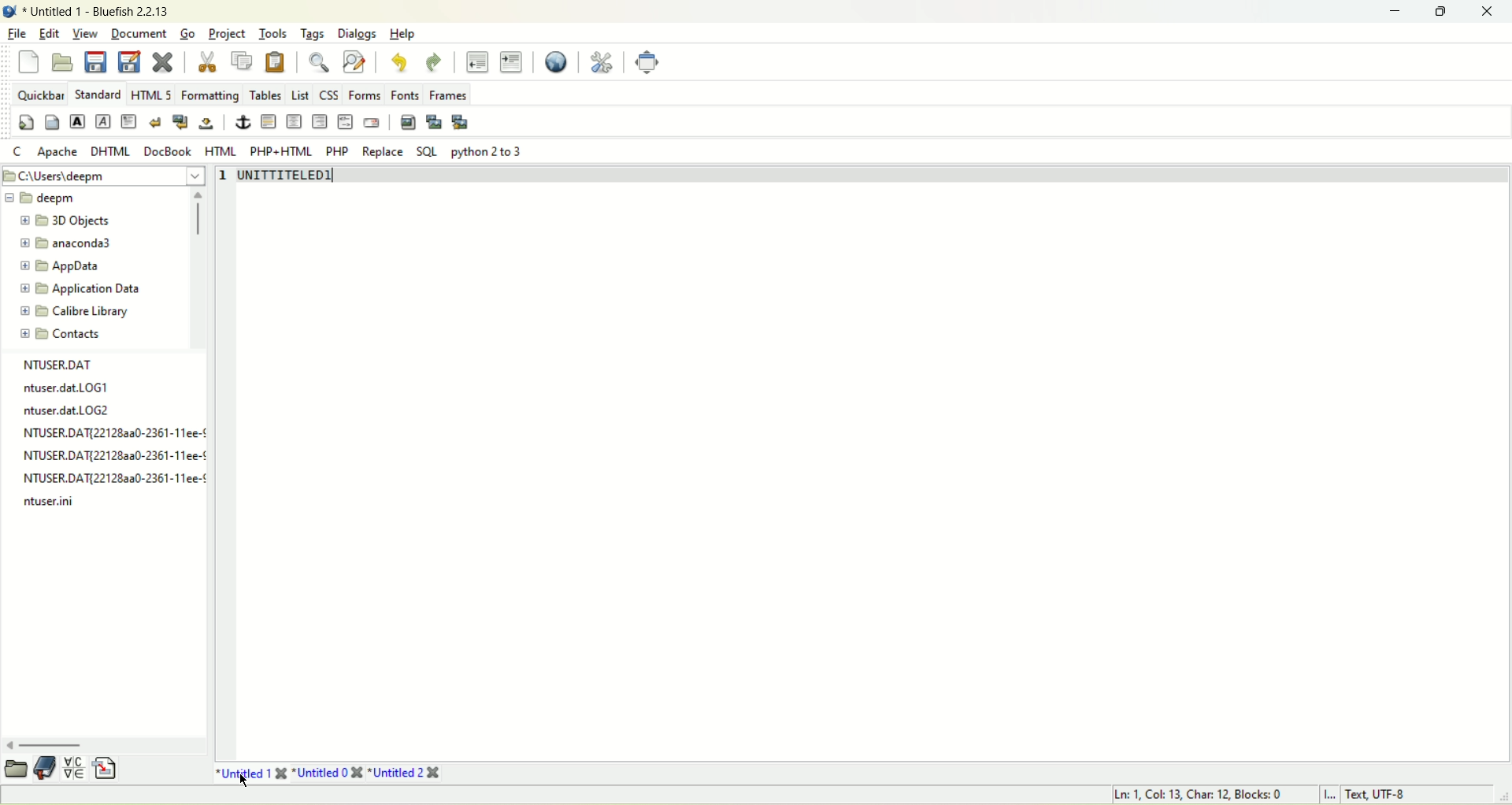  I want to click on Help, so click(402, 32).